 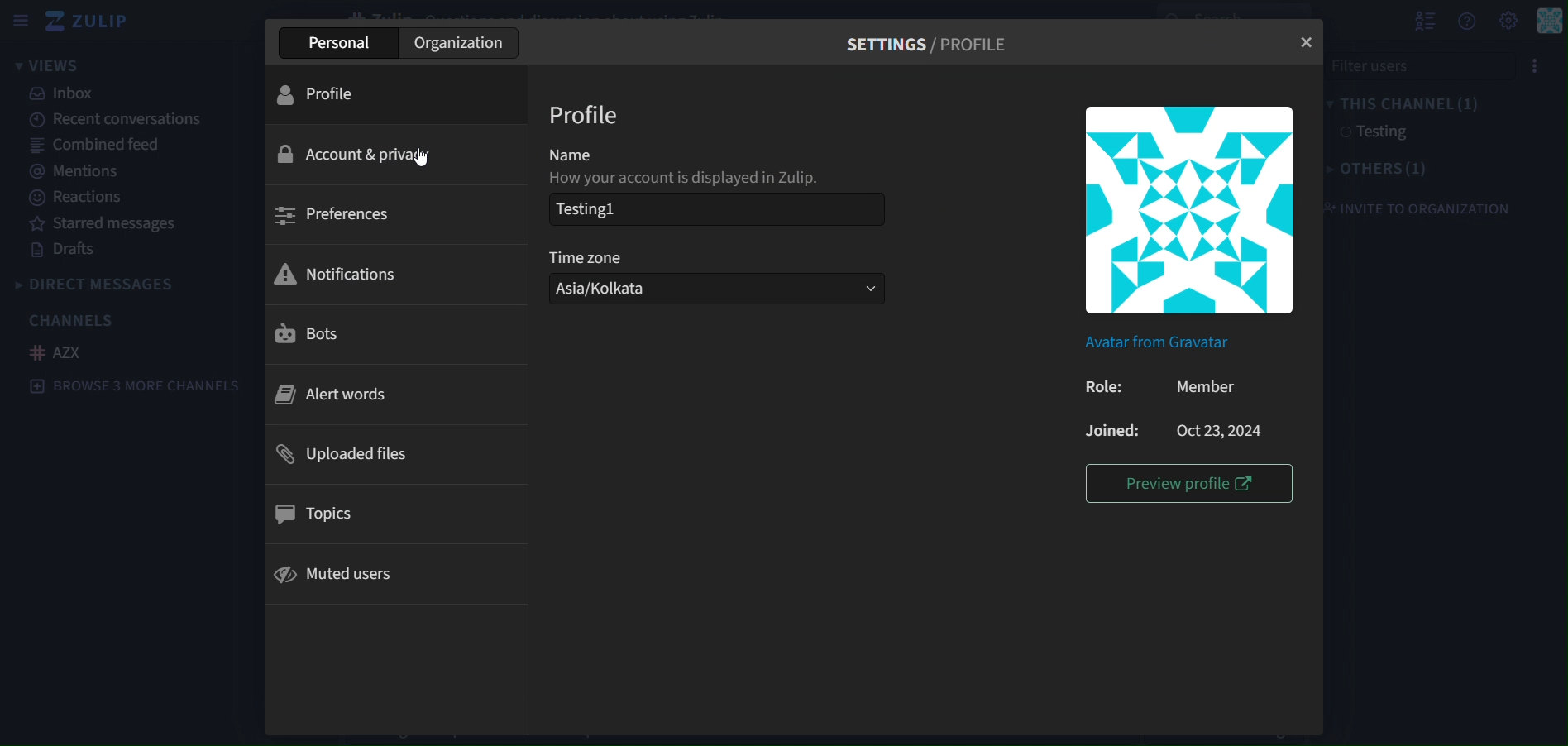 I want to click on browse 3 more channels, so click(x=131, y=386).